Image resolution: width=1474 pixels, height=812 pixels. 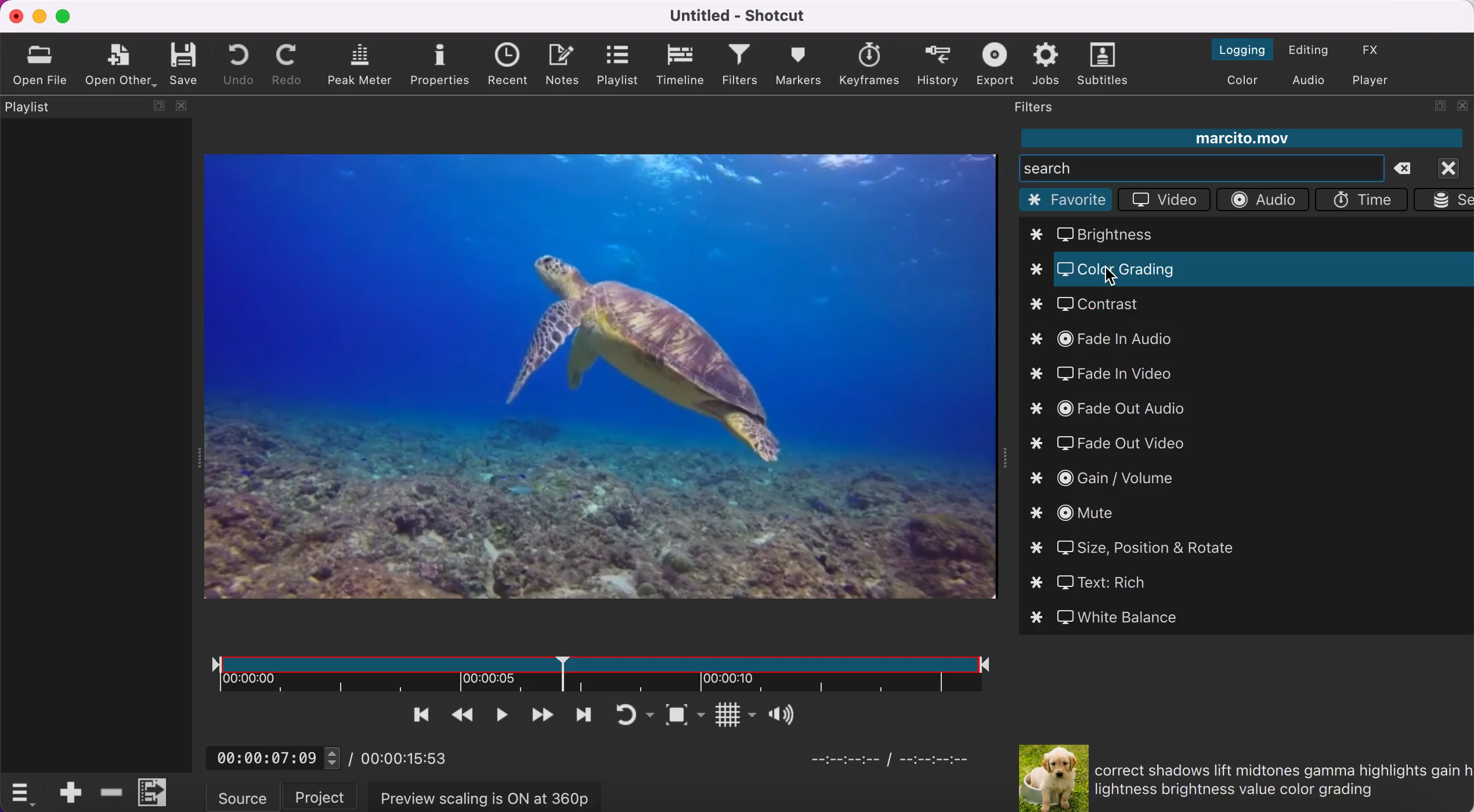 What do you see at coordinates (121, 65) in the screenshot?
I see `open other` at bounding box center [121, 65].